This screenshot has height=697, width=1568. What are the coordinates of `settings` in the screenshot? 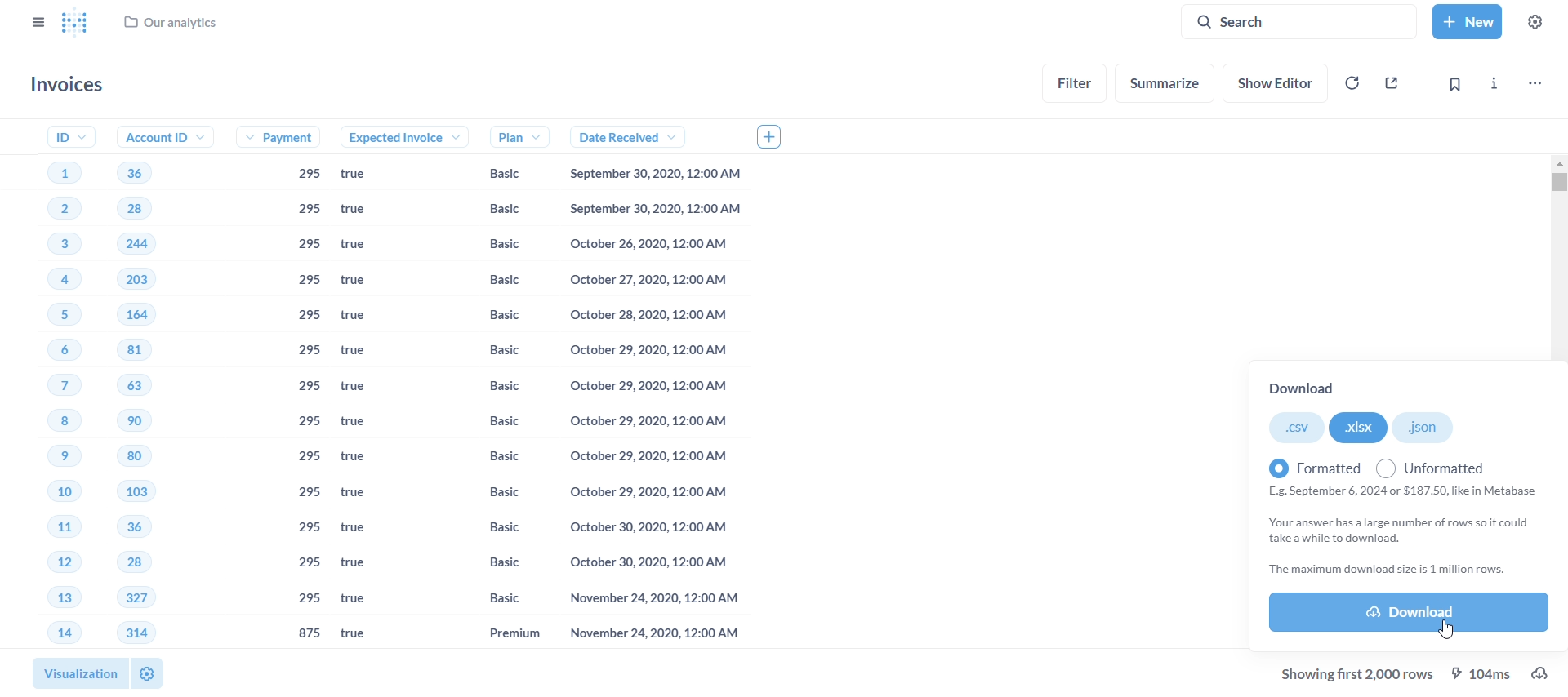 It's located at (146, 673).